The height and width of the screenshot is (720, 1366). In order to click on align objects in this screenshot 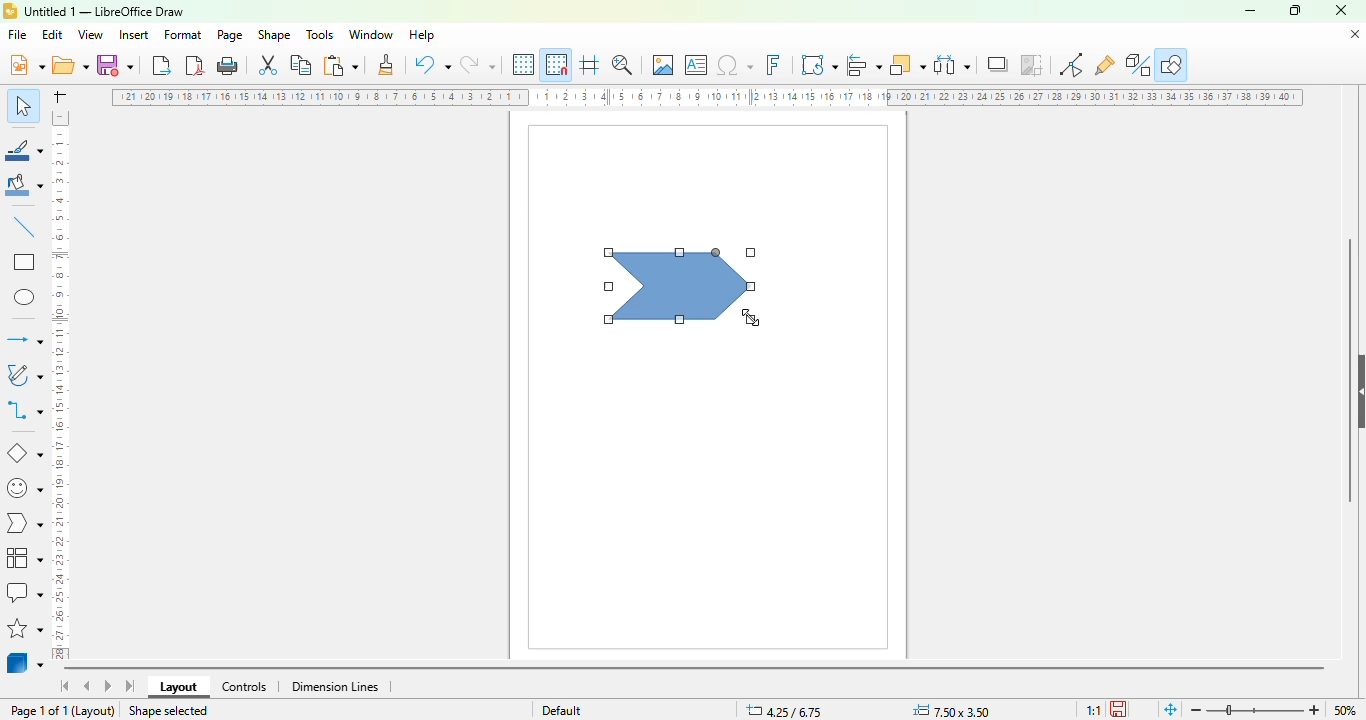, I will do `click(864, 65)`.